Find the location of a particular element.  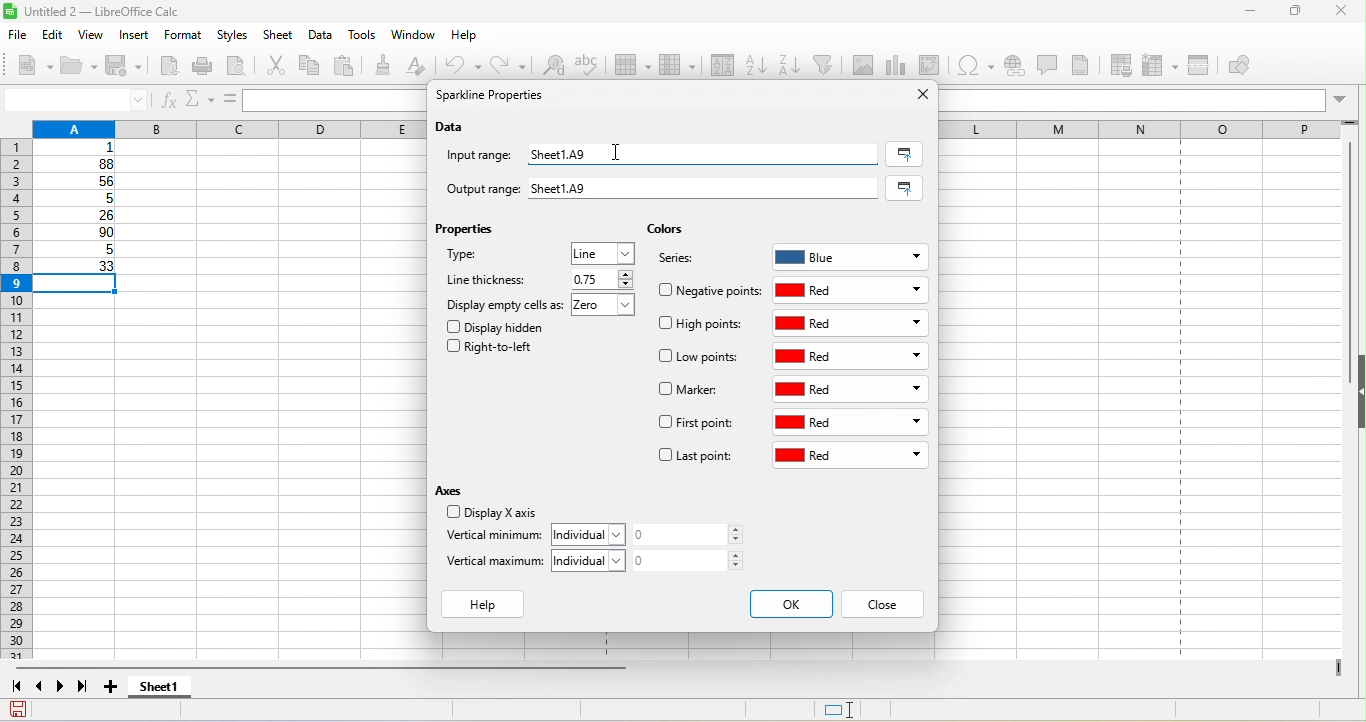

redo is located at coordinates (511, 64).